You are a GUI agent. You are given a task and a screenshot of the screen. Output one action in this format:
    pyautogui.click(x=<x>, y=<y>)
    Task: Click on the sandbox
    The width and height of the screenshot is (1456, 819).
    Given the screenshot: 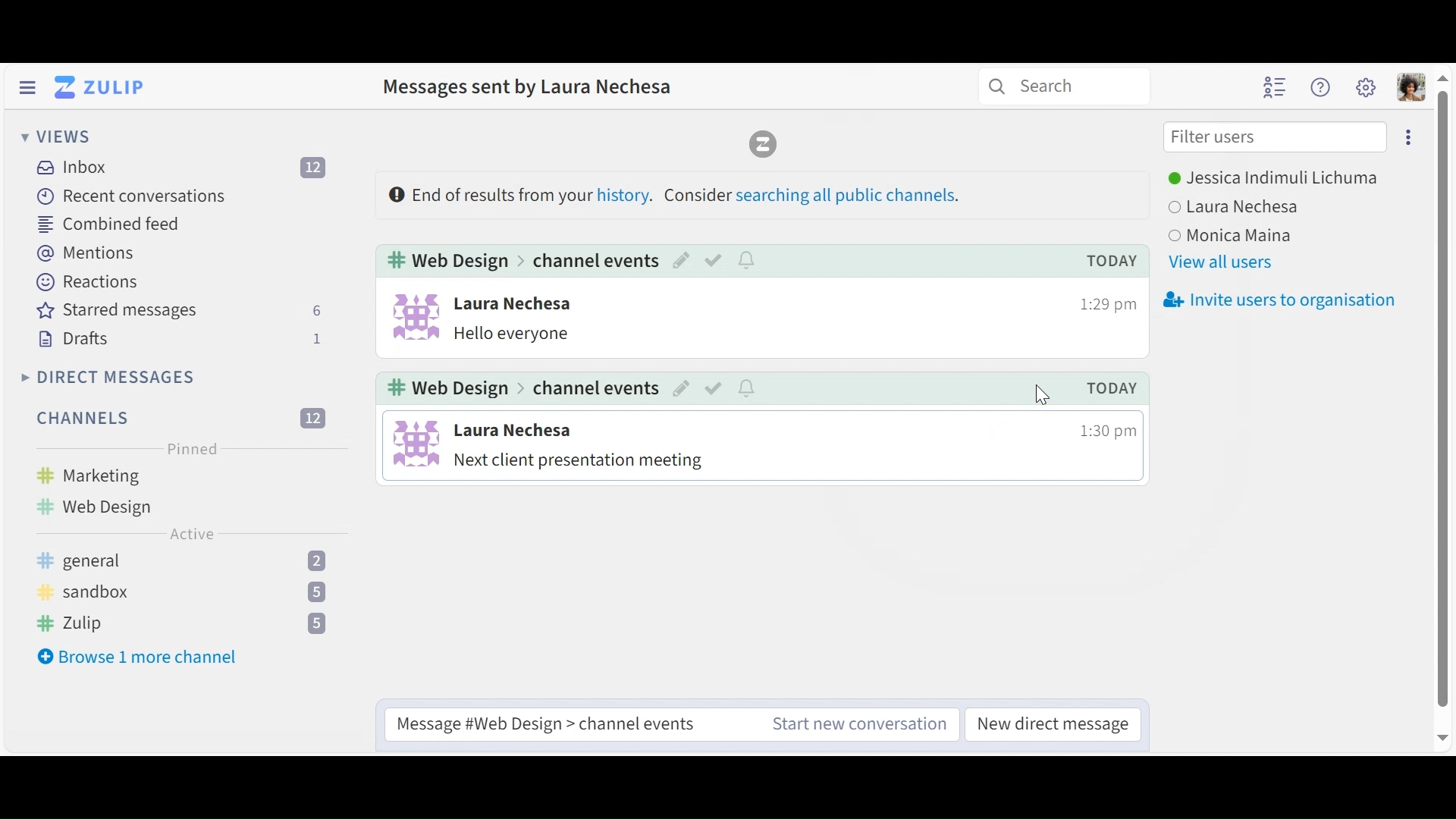 What is the action you would take?
    pyautogui.click(x=182, y=593)
    